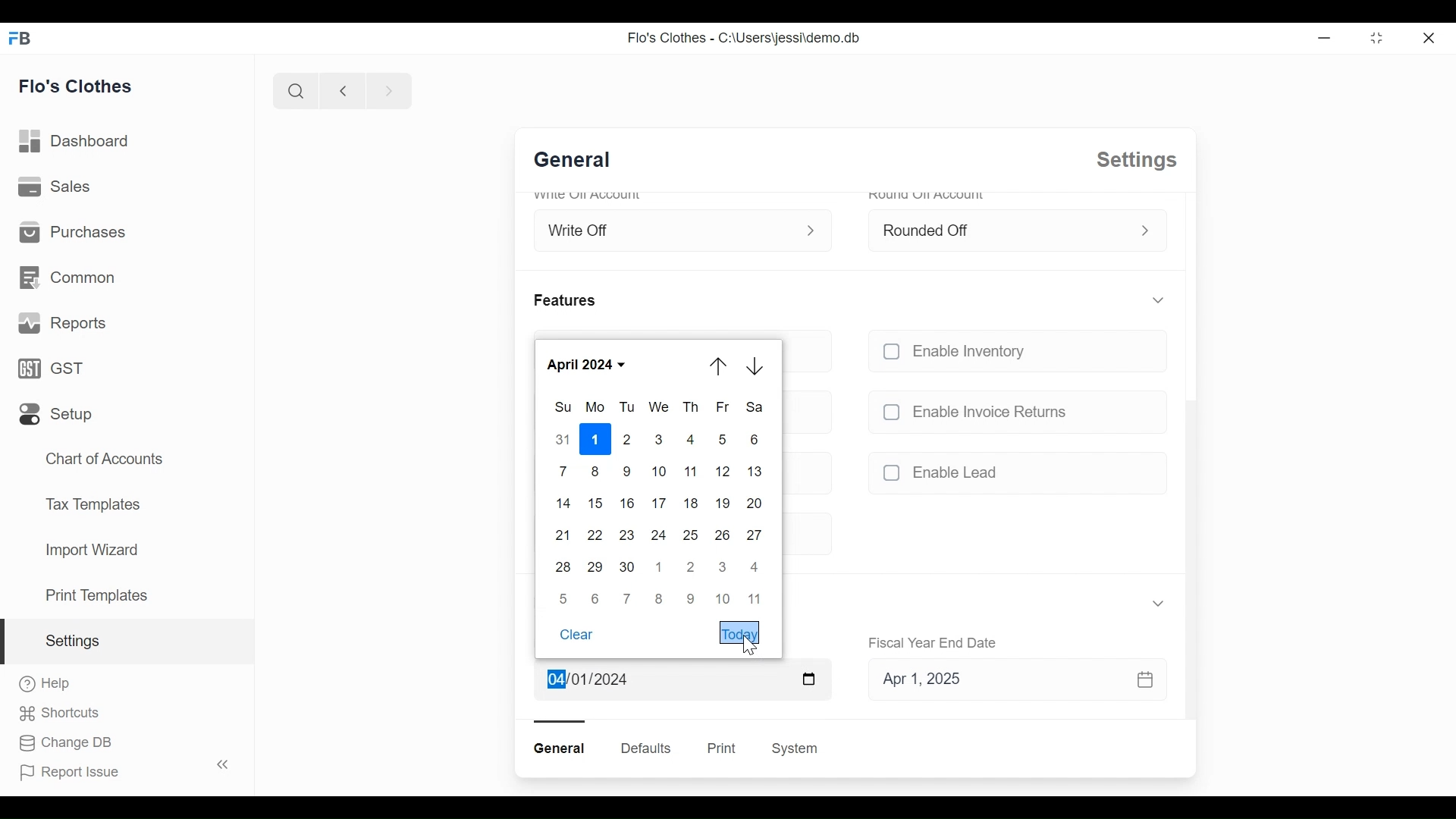 The image size is (1456, 819). What do you see at coordinates (121, 769) in the screenshot?
I see `Report Issue` at bounding box center [121, 769].